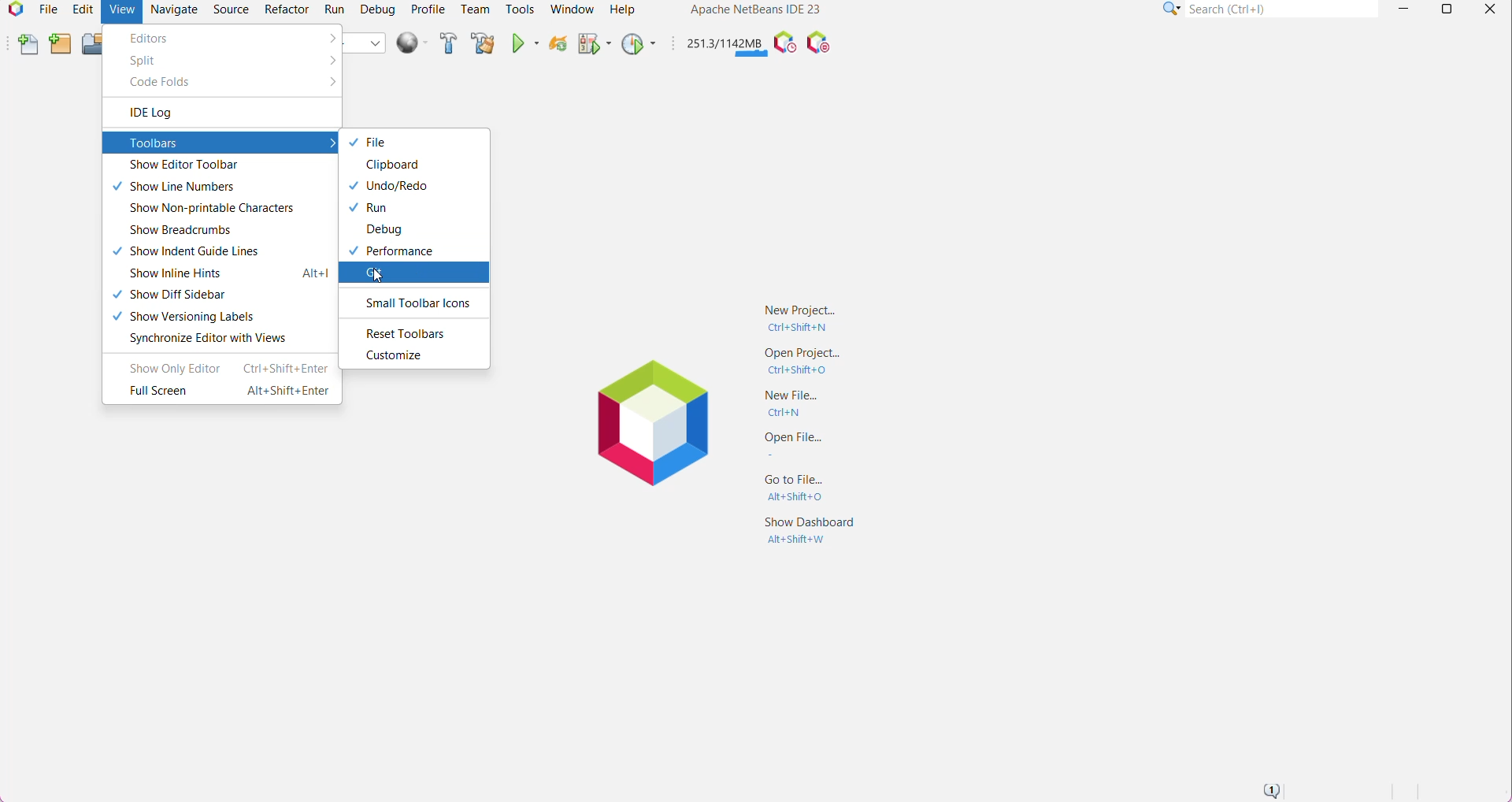 This screenshot has width=1512, height=802. I want to click on Code Folds, so click(161, 84).